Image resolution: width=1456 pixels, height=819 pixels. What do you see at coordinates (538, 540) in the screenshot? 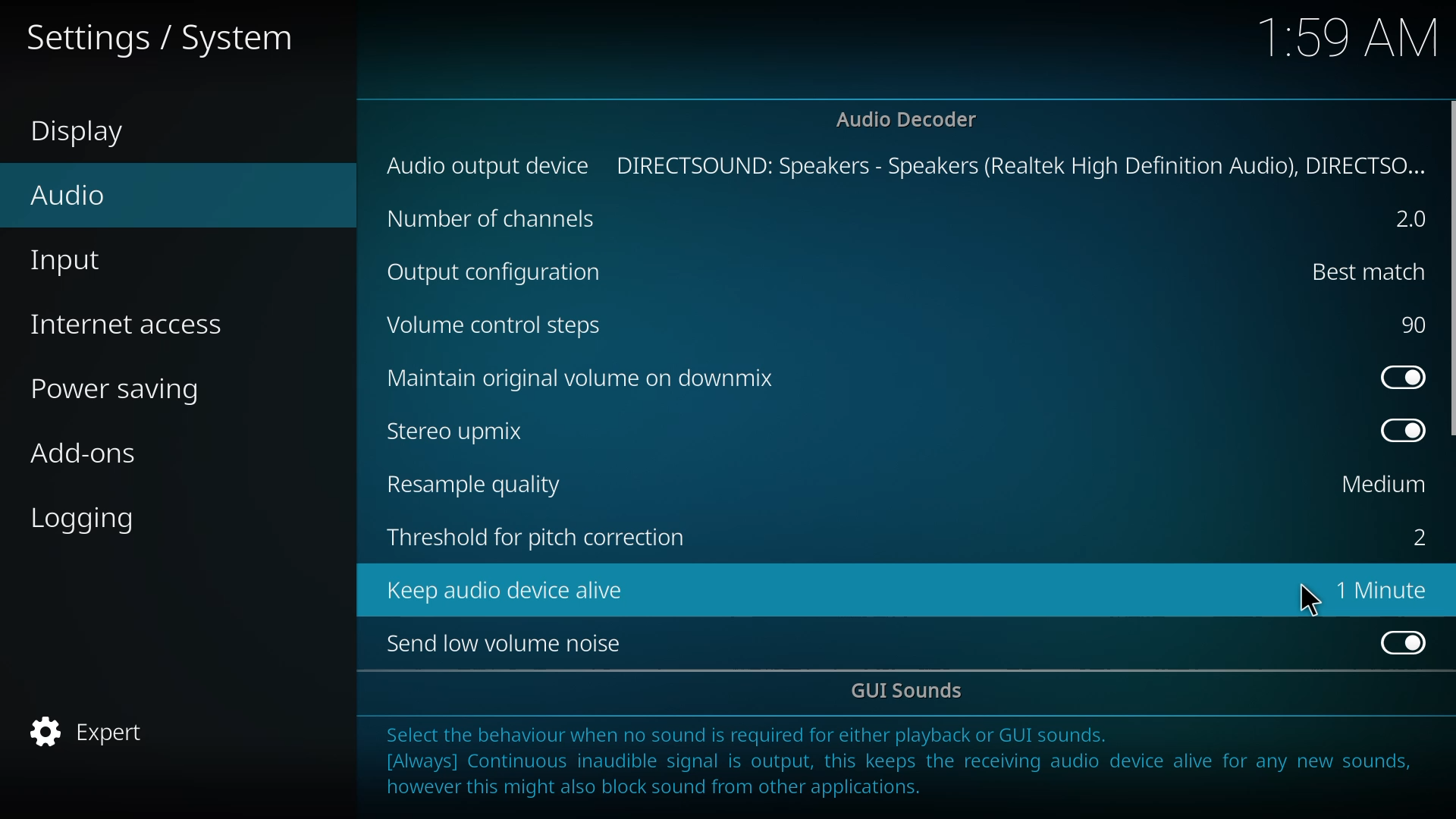
I see `threshold for pitch correction` at bounding box center [538, 540].